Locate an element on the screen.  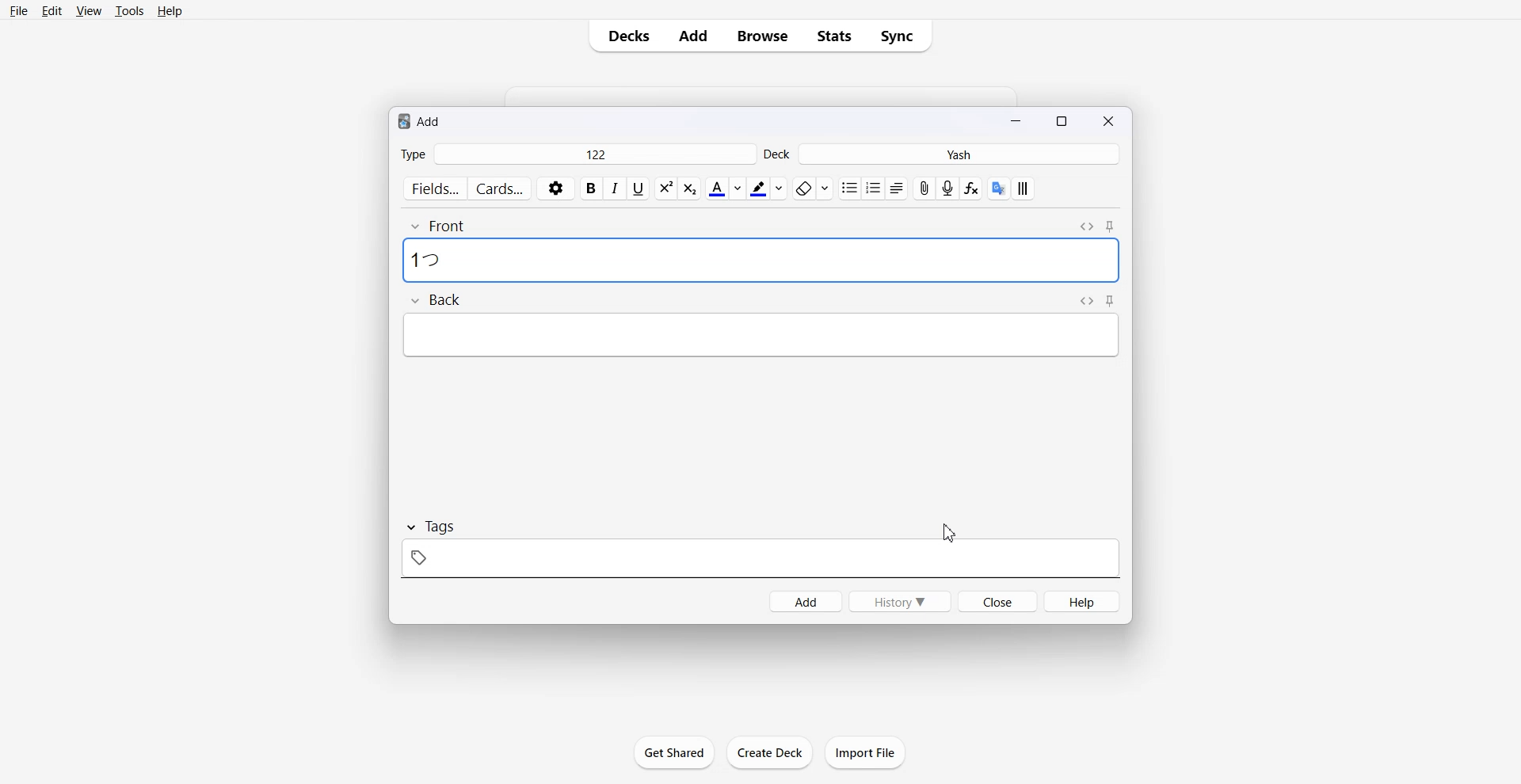
tag space is located at coordinates (760, 558).